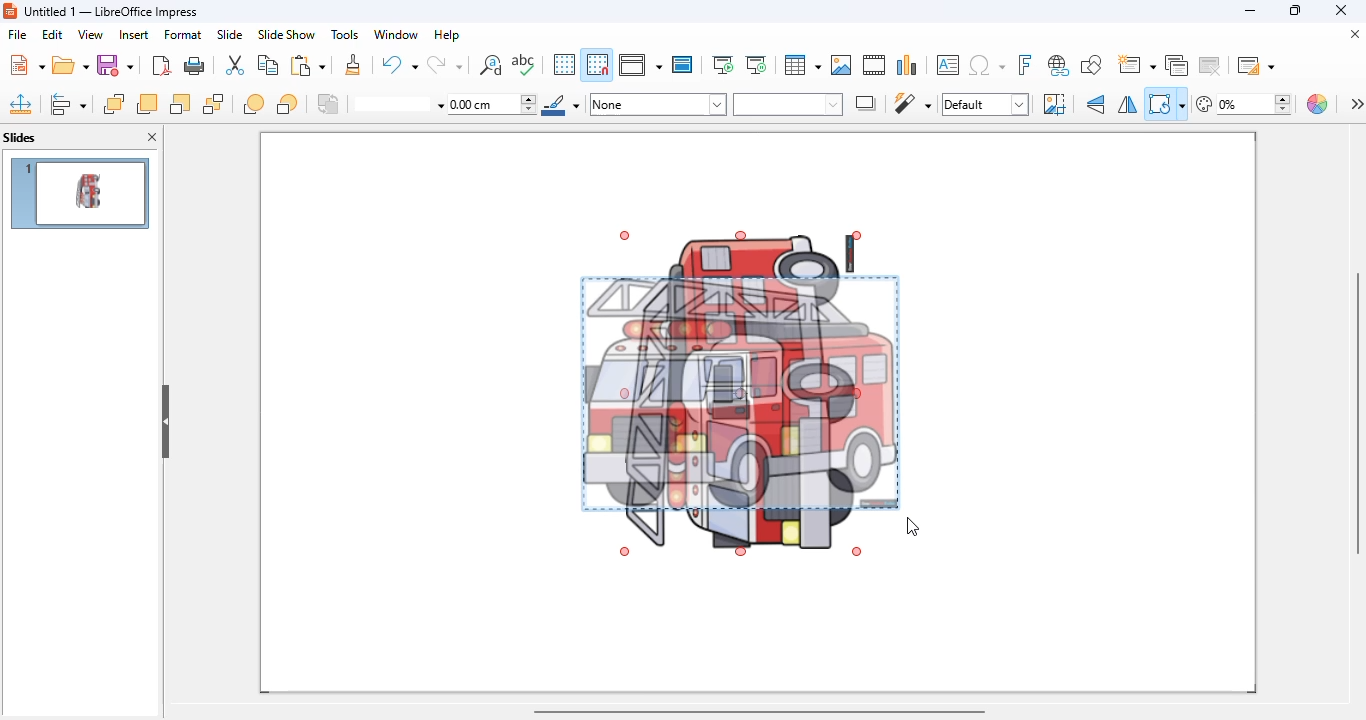 The width and height of the screenshot is (1366, 720). Describe the element at coordinates (26, 64) in the screenshot. I see `new` at that location.